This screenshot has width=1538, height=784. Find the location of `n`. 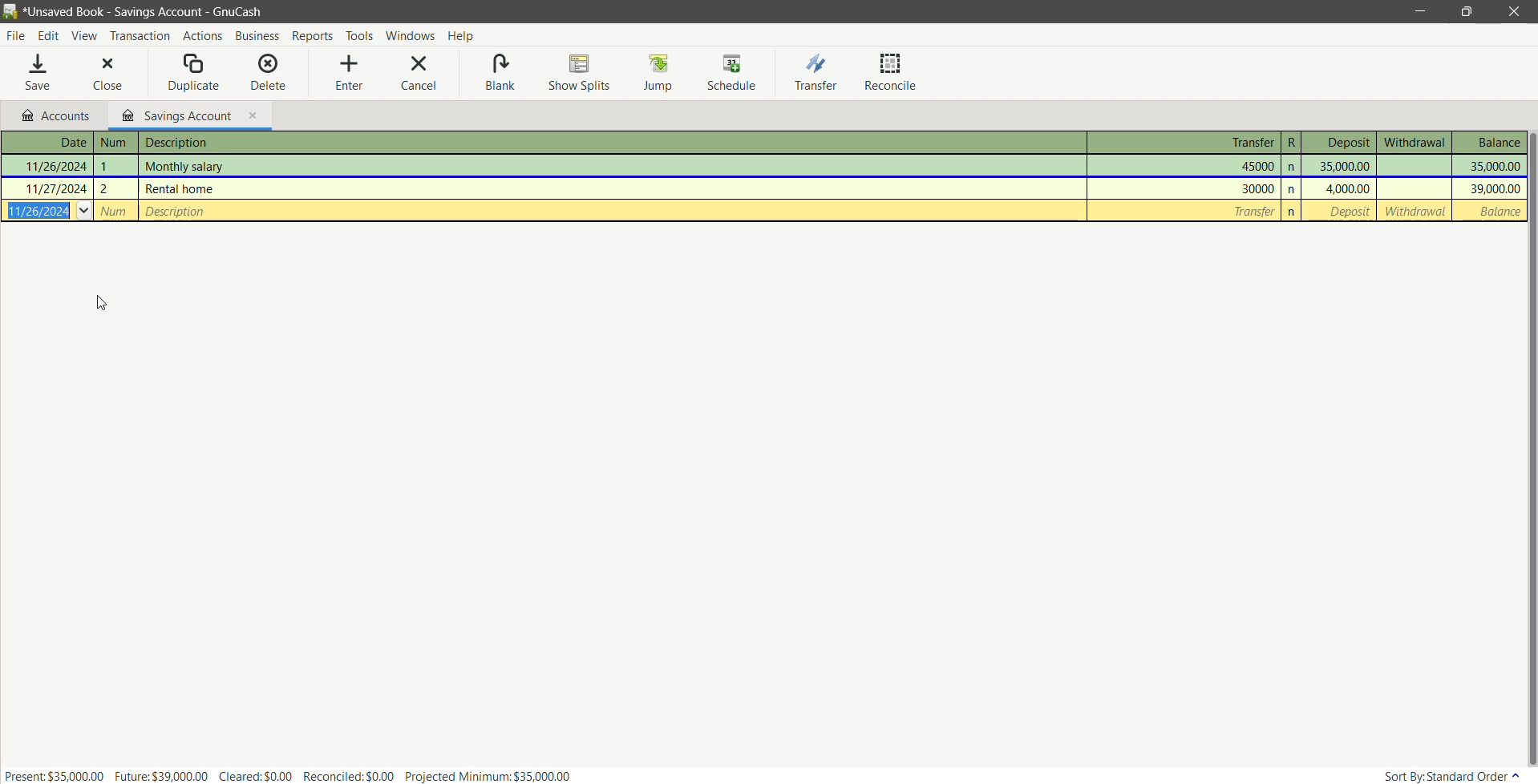

n is located at coordinates (1293, 166).